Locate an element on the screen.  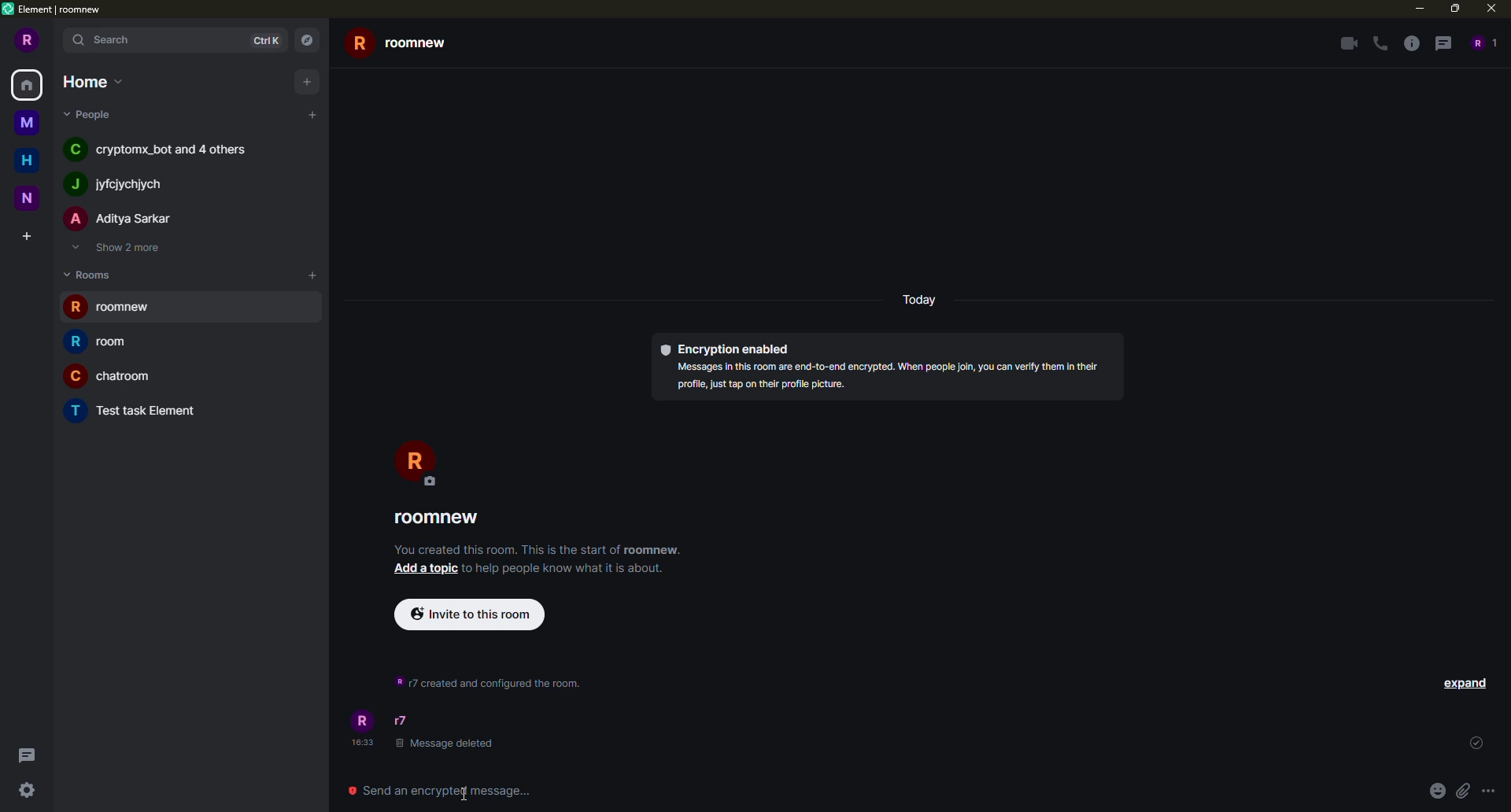
time is located at coordinates (364, 744).